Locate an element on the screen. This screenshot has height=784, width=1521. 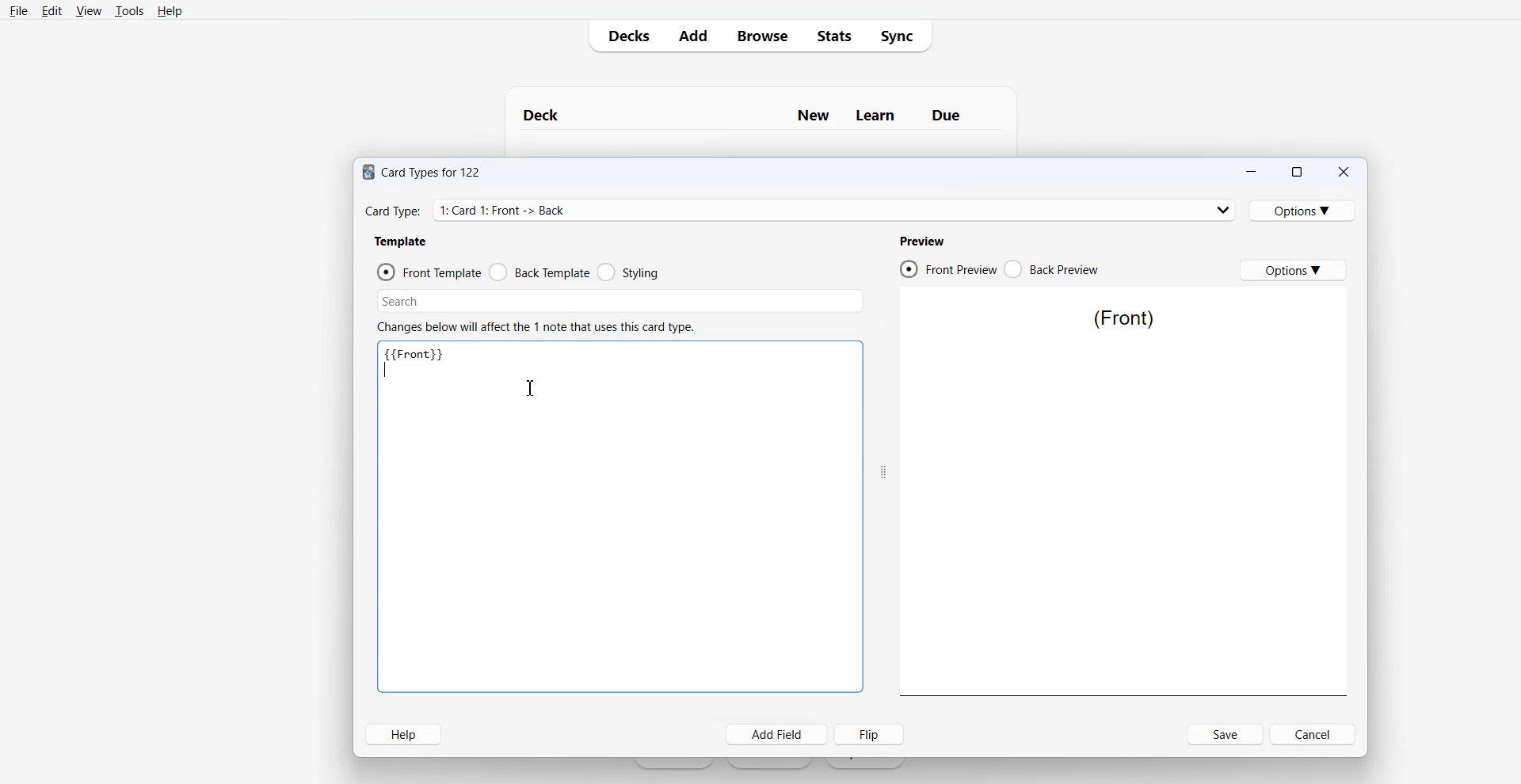
Tools is located at coordinates (130, 10).